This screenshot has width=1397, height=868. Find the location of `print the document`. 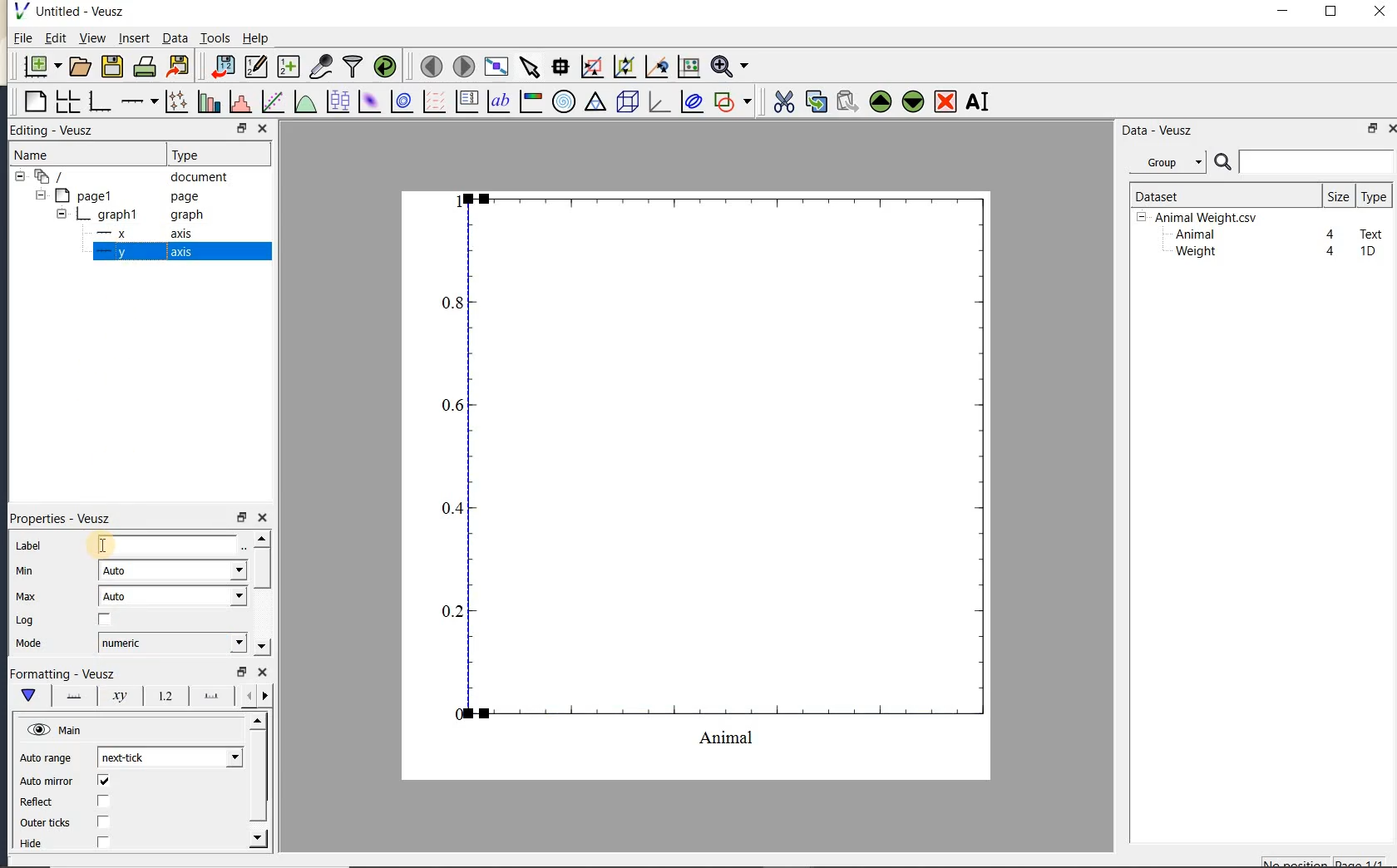

print the document is located at coordinates (145, 67).